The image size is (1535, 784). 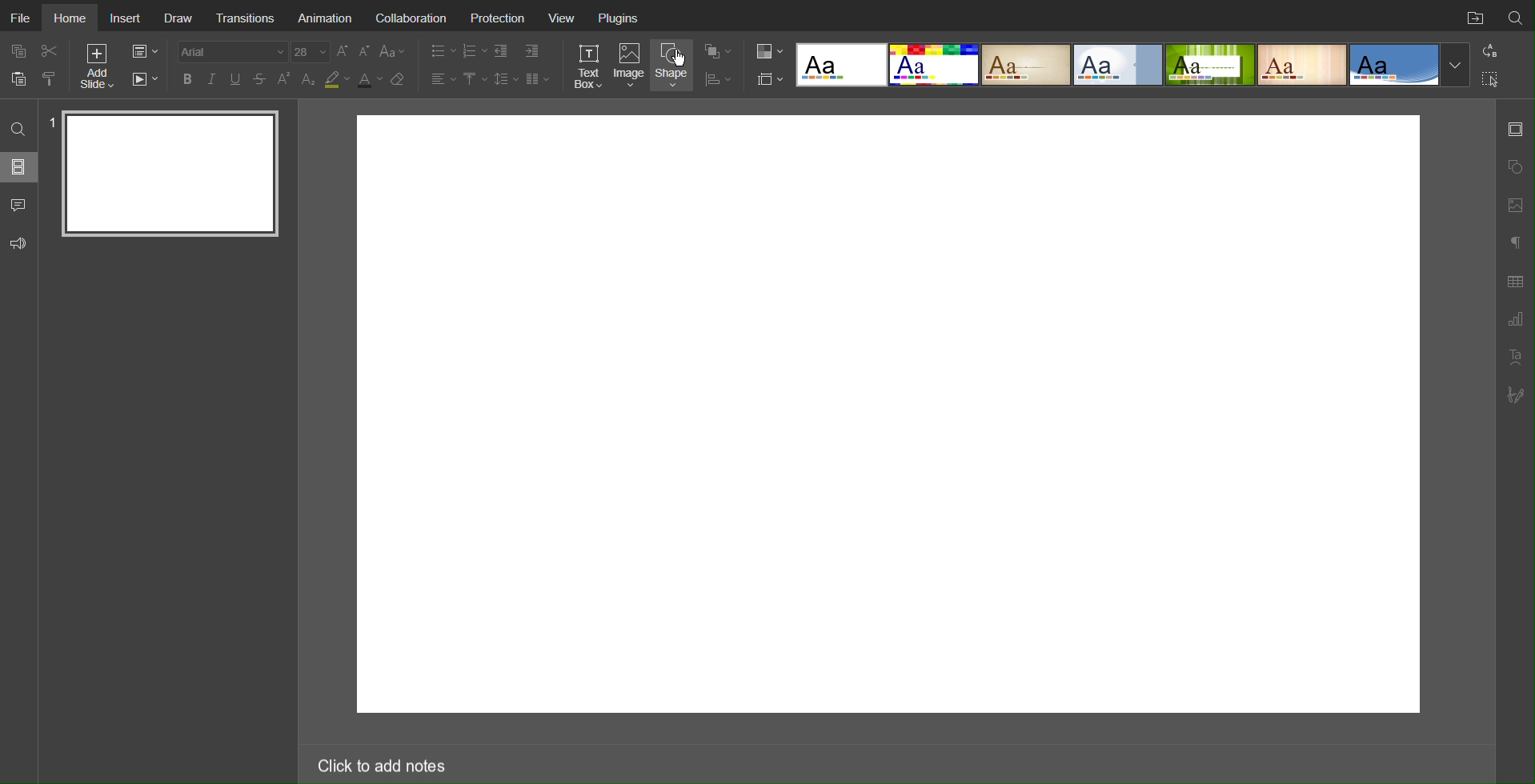 What do you see at coordinates (143, 52) in the screenshot?
I see `Slide Settings` at bounding box center [143, 52].